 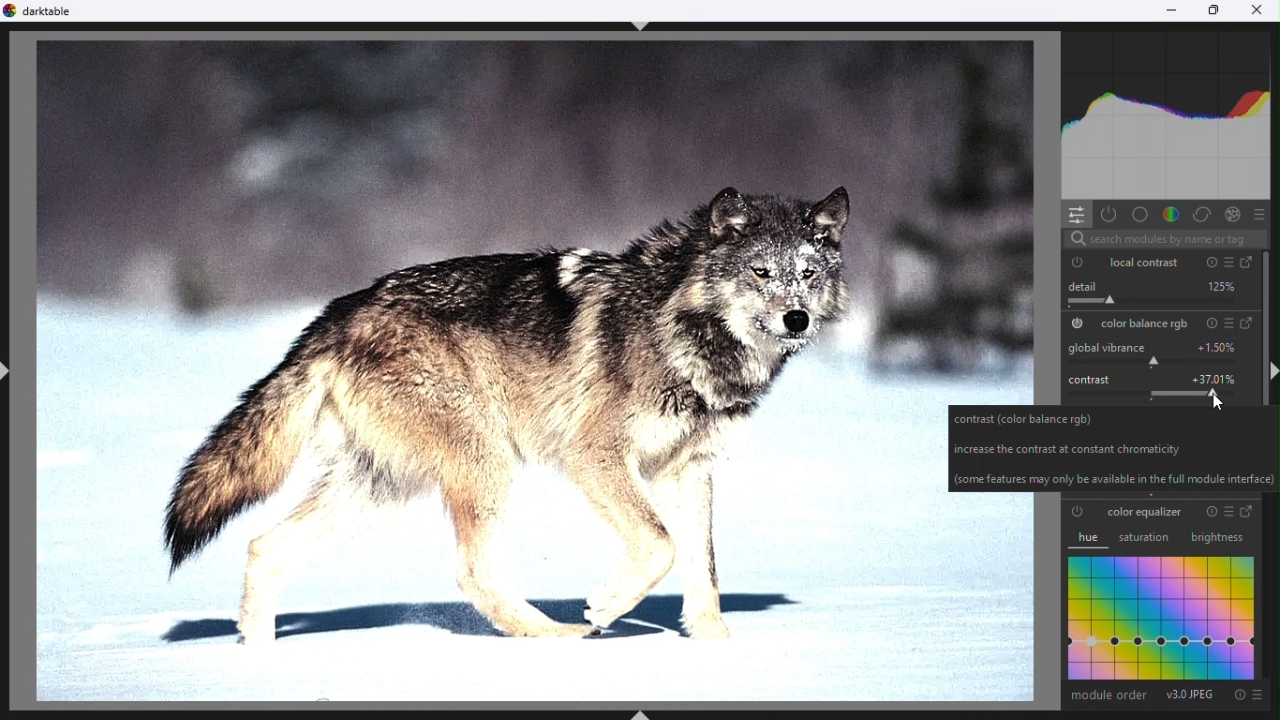 What do you see at coordinates (1262, 326) in the screenshot?
I see `vertical scroll bar` at bounding box center [1262, 326].